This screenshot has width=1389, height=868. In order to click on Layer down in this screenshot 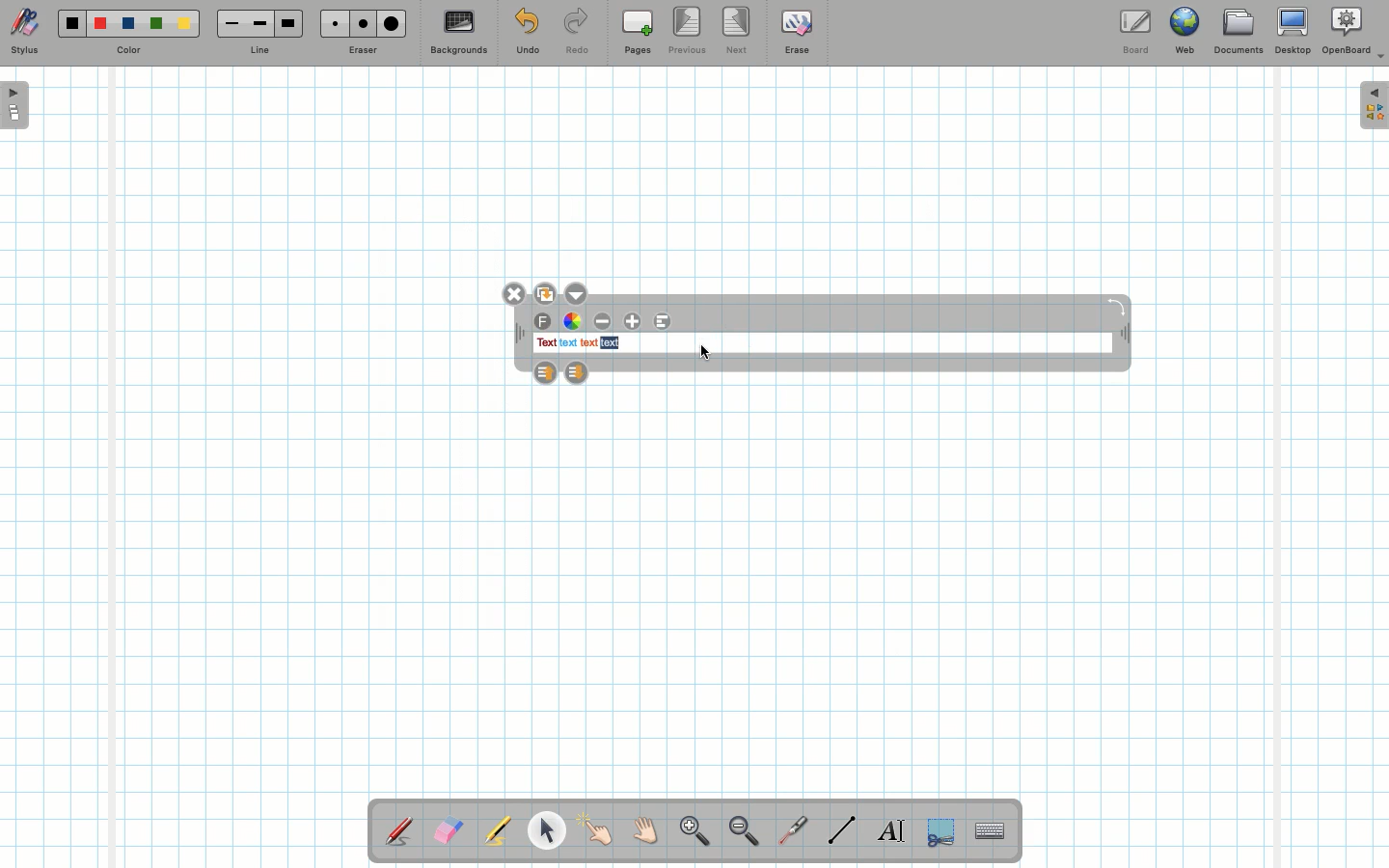, I will do `click(578, 372)`.